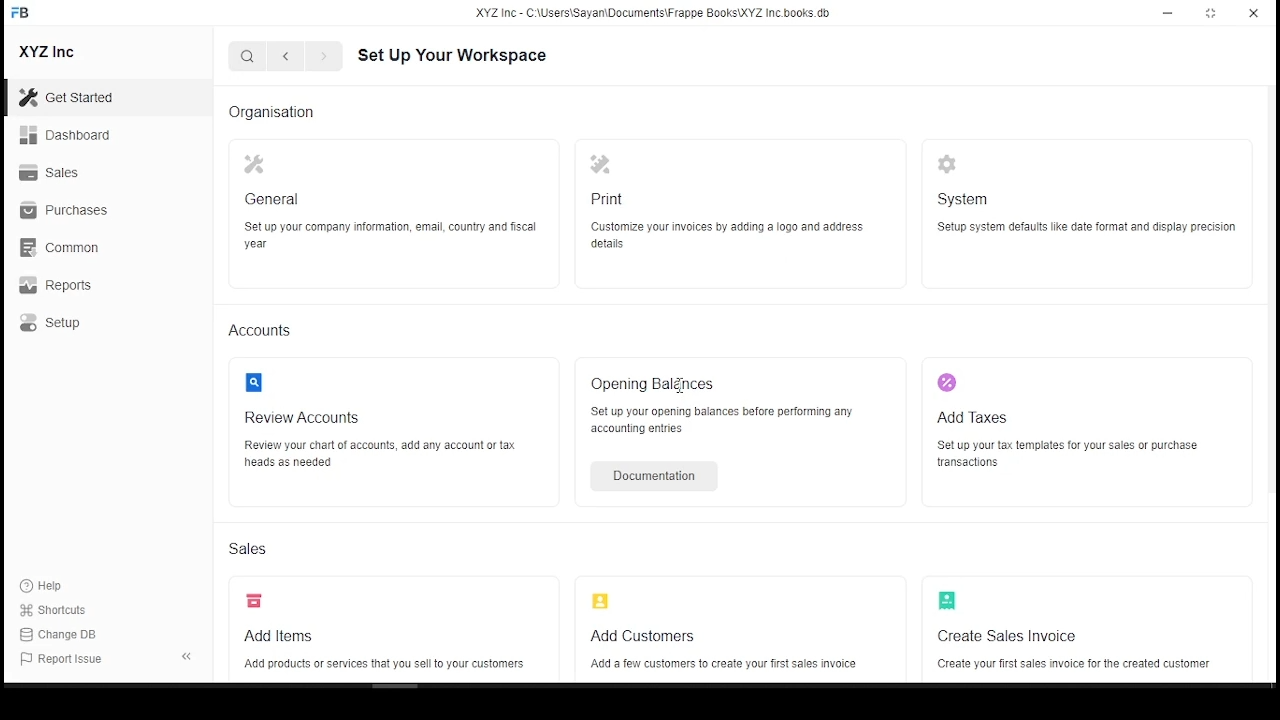  Describe the element at coordinates (952, 384) in the screenshot. I see `logo` at that location.